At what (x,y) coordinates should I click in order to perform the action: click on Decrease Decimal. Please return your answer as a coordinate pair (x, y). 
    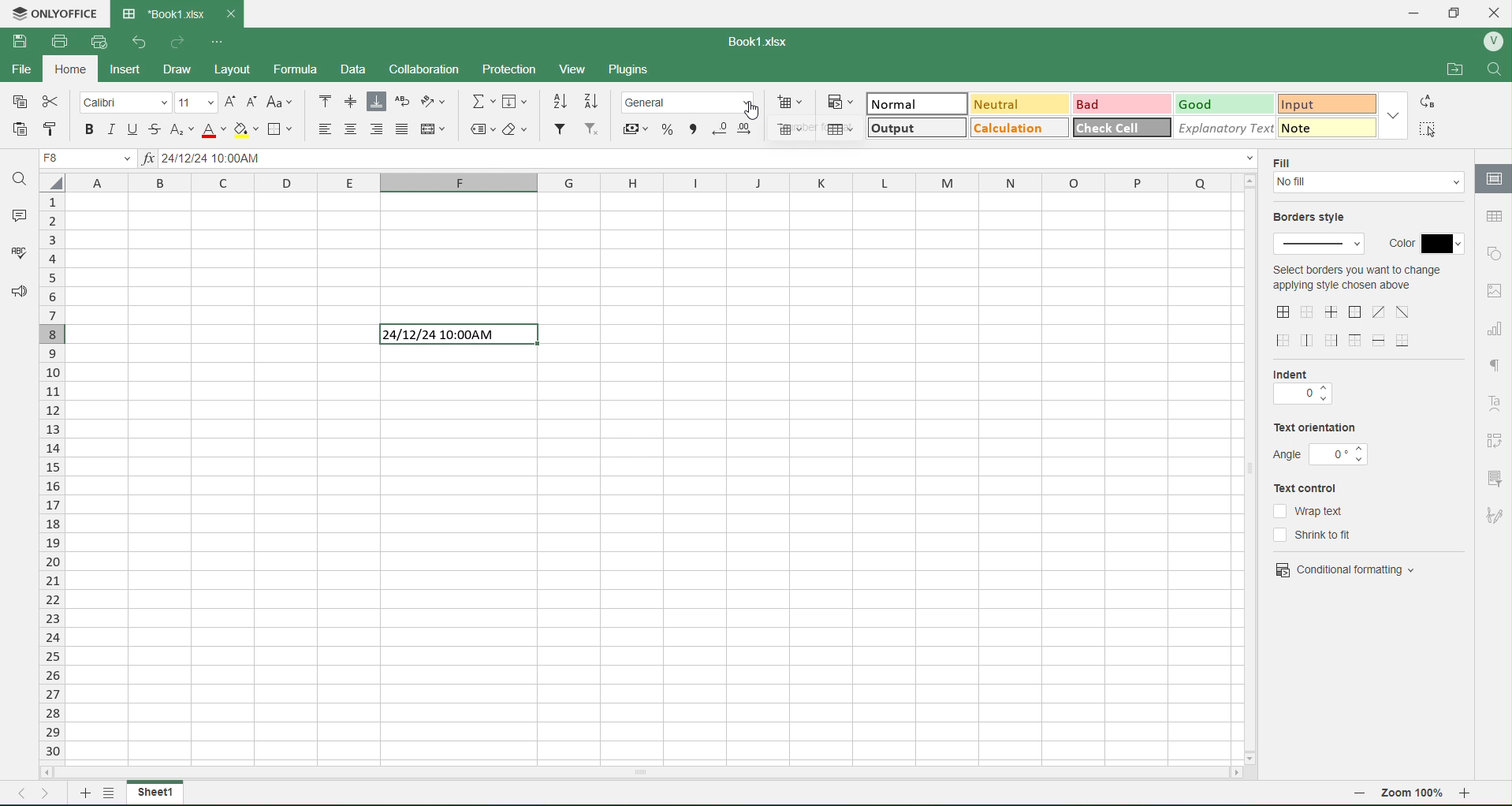
    Looking at the image, I should click on (719, 128).